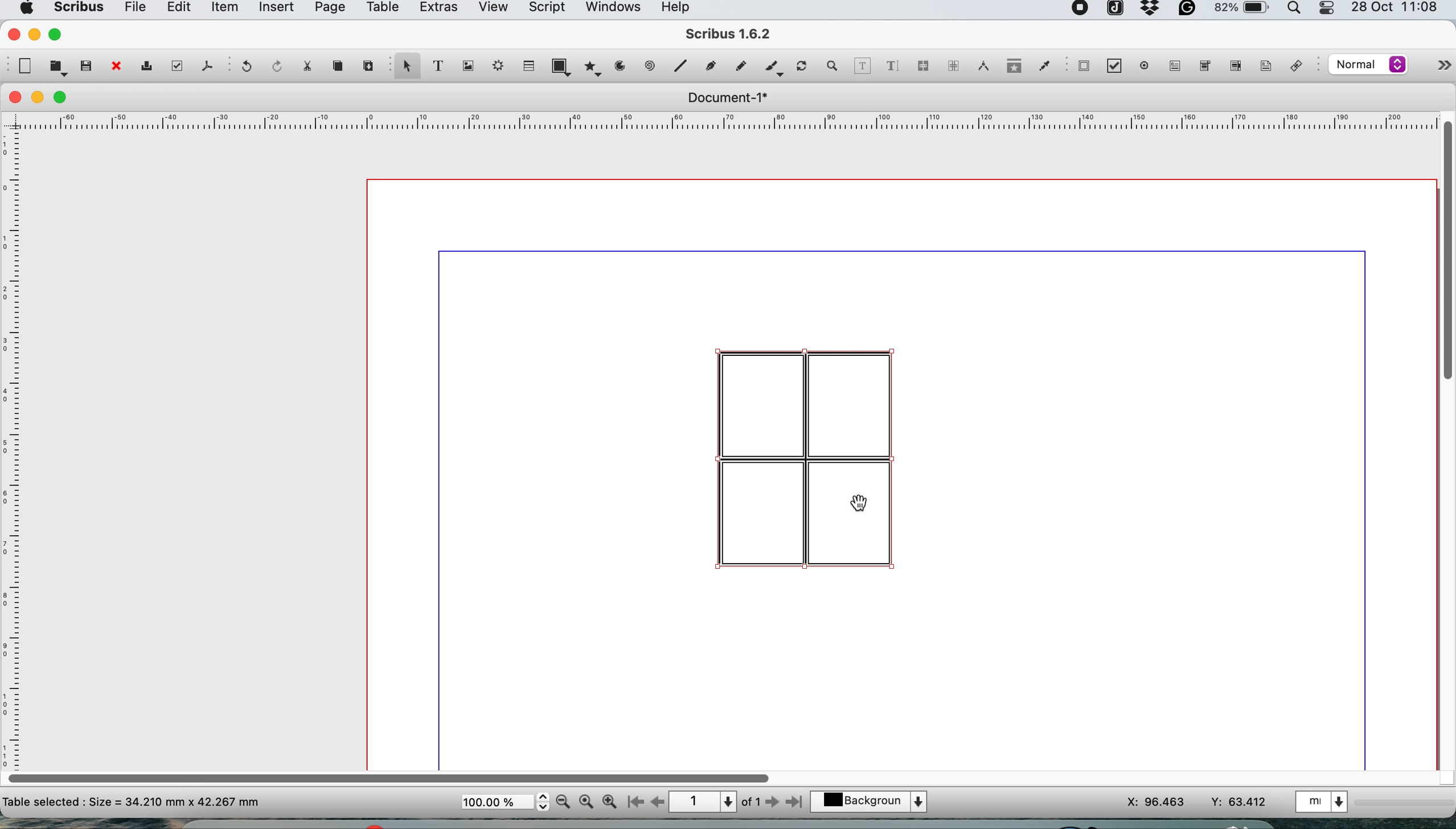 This screenshot has width=1456, height=829. What do you see at coordinates (14, 437) in the screenshot?
I see `vertical scale` at bounding box center [14, 437].